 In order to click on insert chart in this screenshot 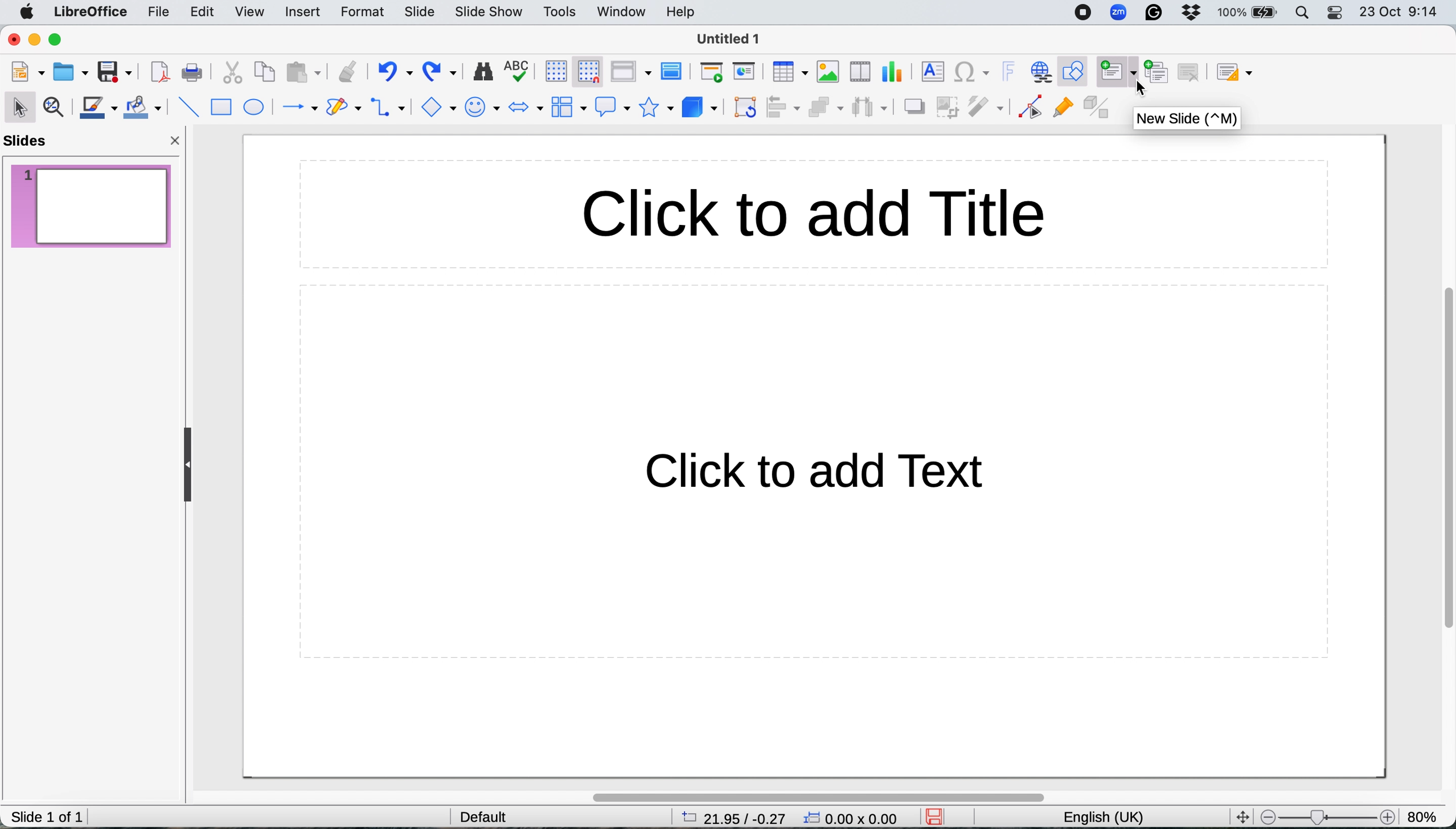, I will do `click(891, 73)`.